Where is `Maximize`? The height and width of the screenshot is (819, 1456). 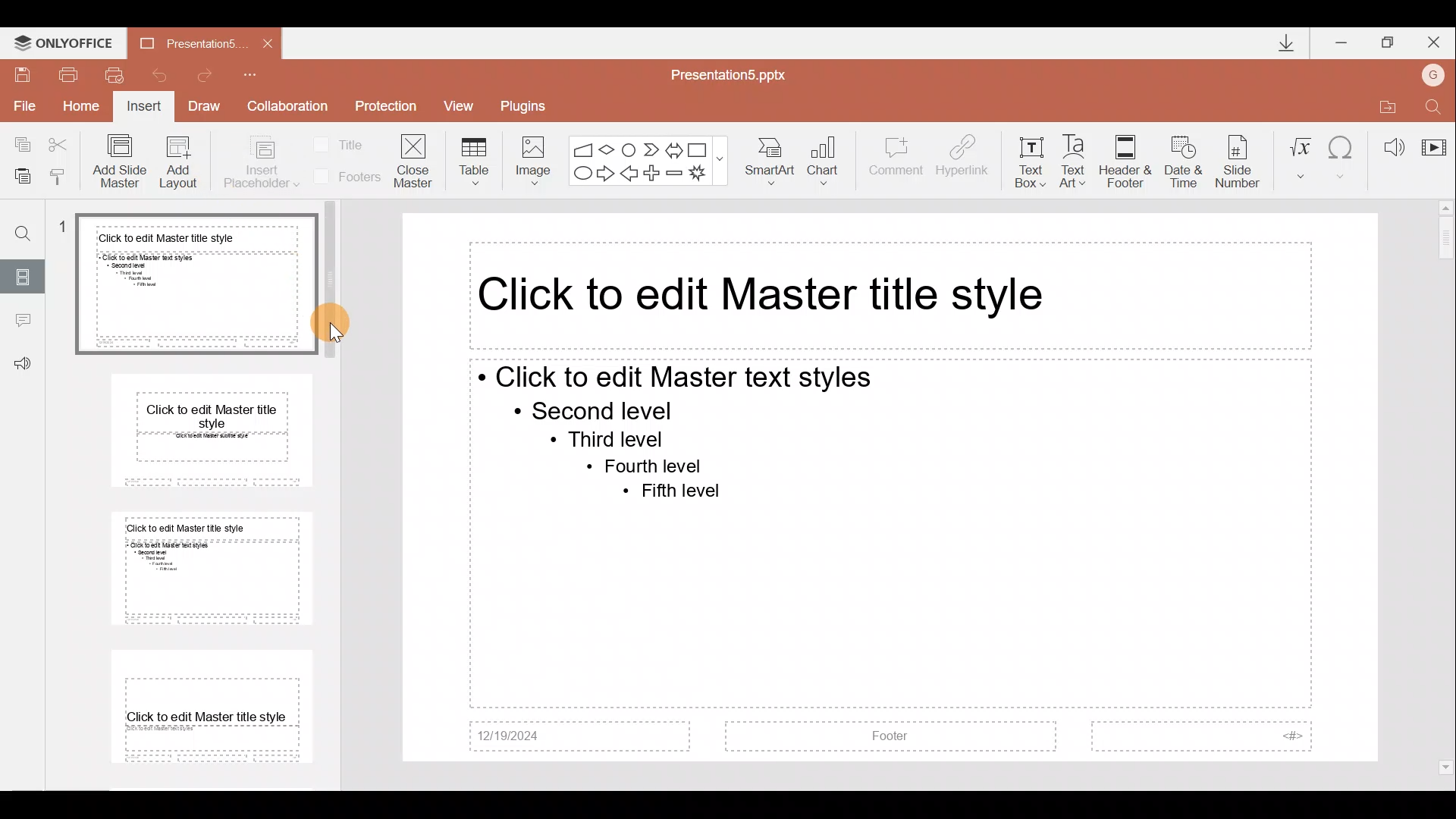
Maximize is located at coordinates (1389, 40).